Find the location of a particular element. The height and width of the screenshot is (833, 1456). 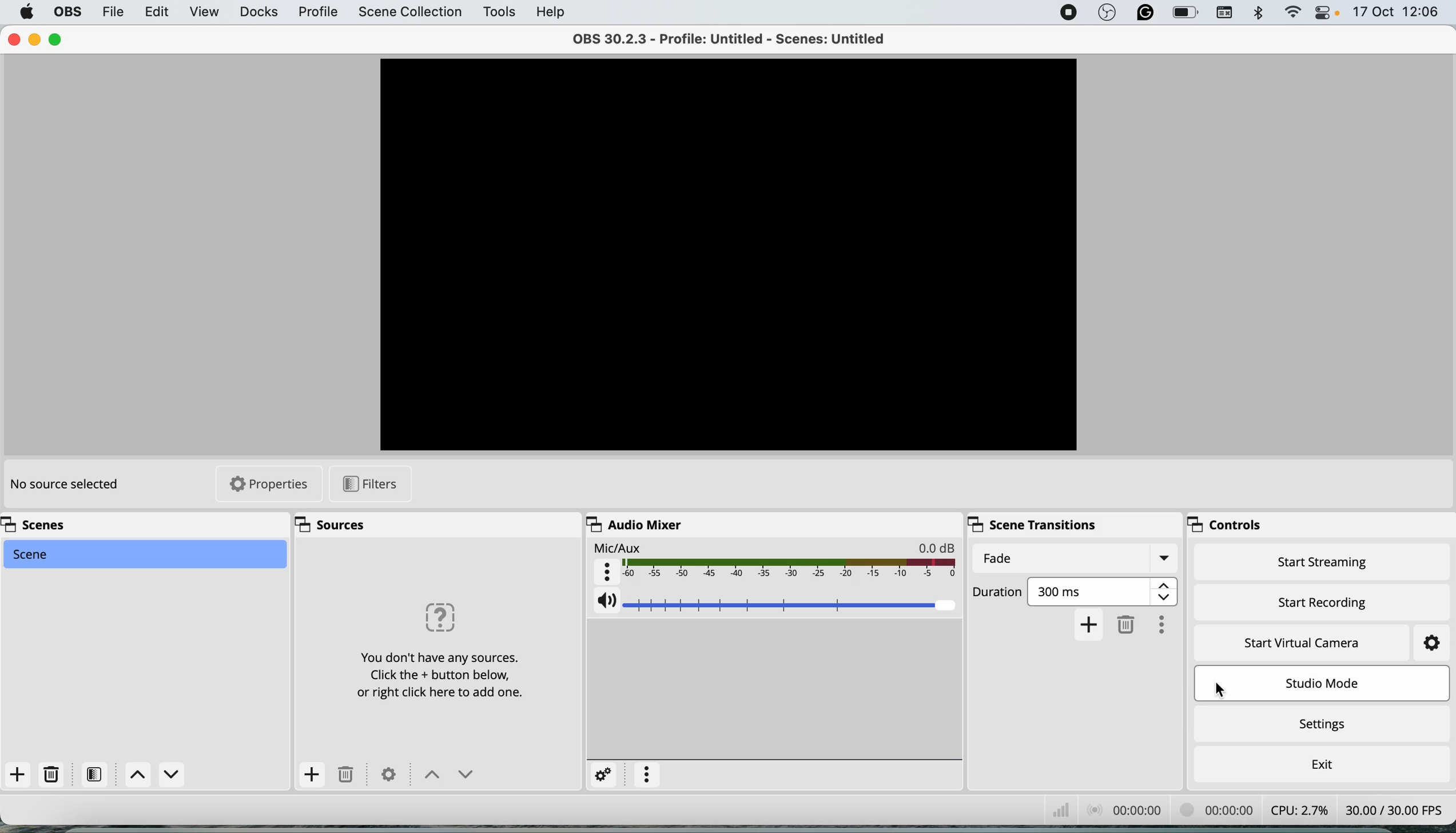

settings is located at coordinates (604, 775).